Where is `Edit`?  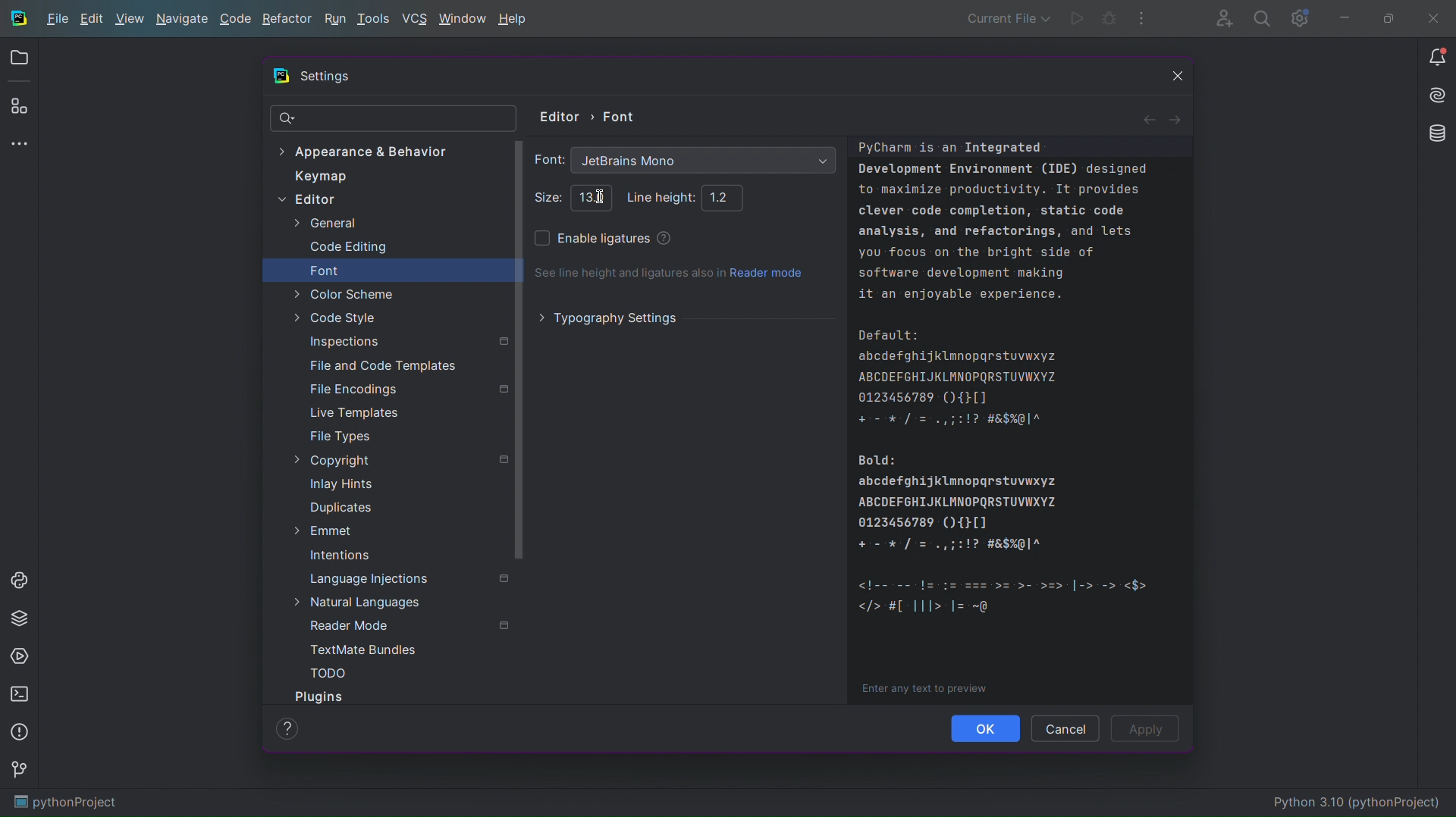 Edit is located at coordinates (90, 20).